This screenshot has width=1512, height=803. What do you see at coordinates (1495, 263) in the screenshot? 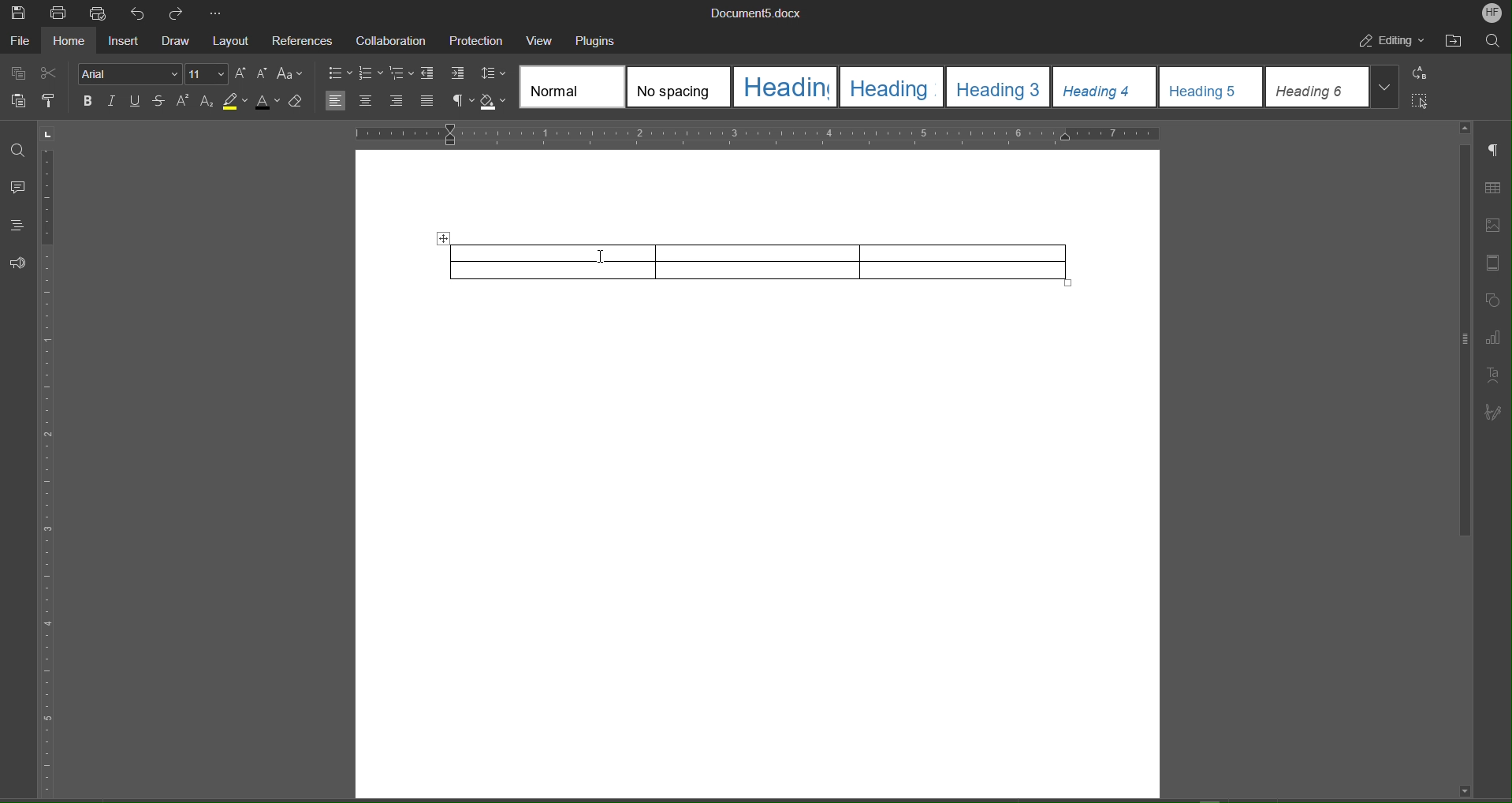
I see `Header and Footer` at bounding box center [1495, 263].